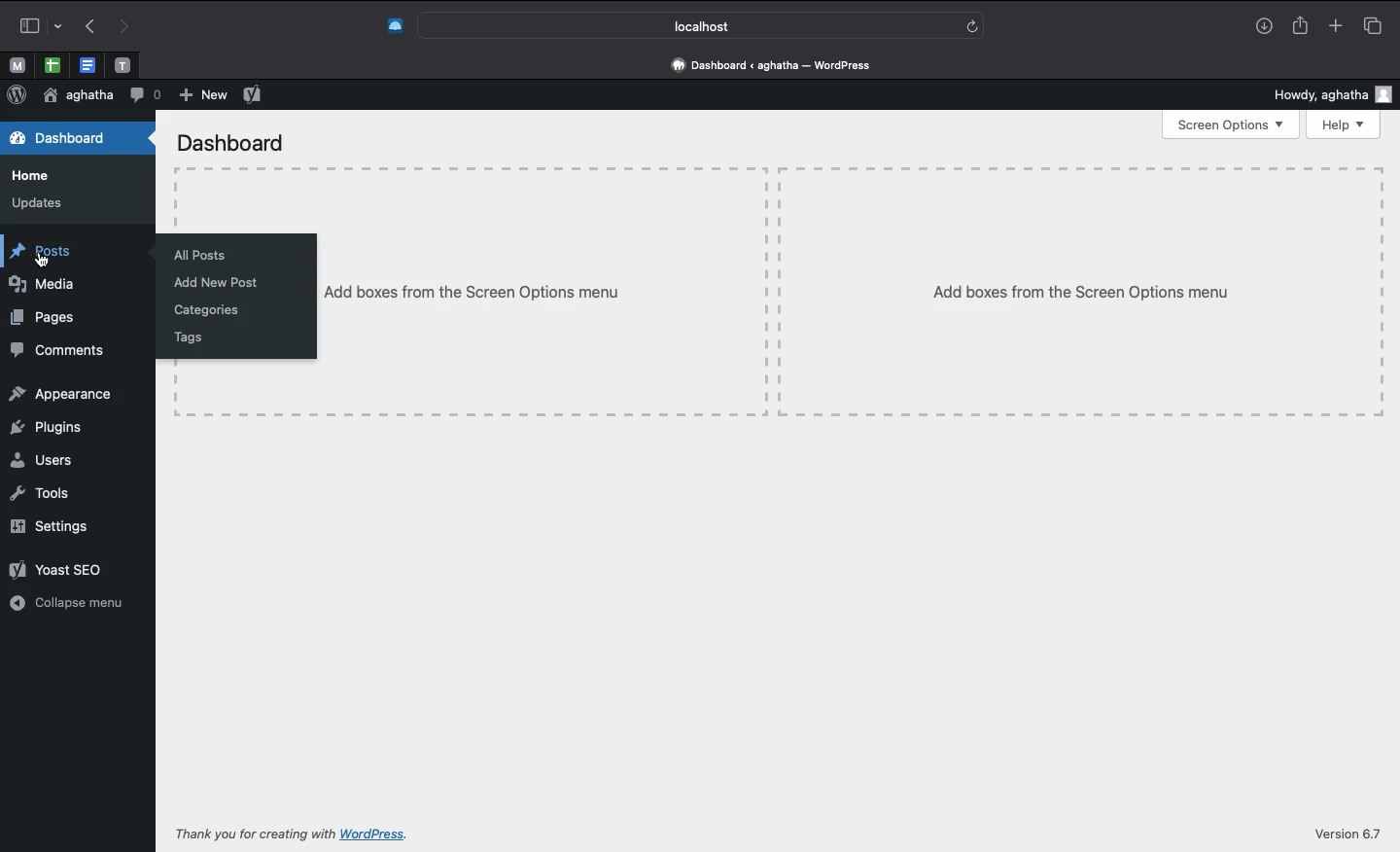 This screenshot has width=1400, height=852. What do you see at coordinates (1333, 91) in the screenshot?
I see `Howdy, aghata` at bounding box center [1333, 91].